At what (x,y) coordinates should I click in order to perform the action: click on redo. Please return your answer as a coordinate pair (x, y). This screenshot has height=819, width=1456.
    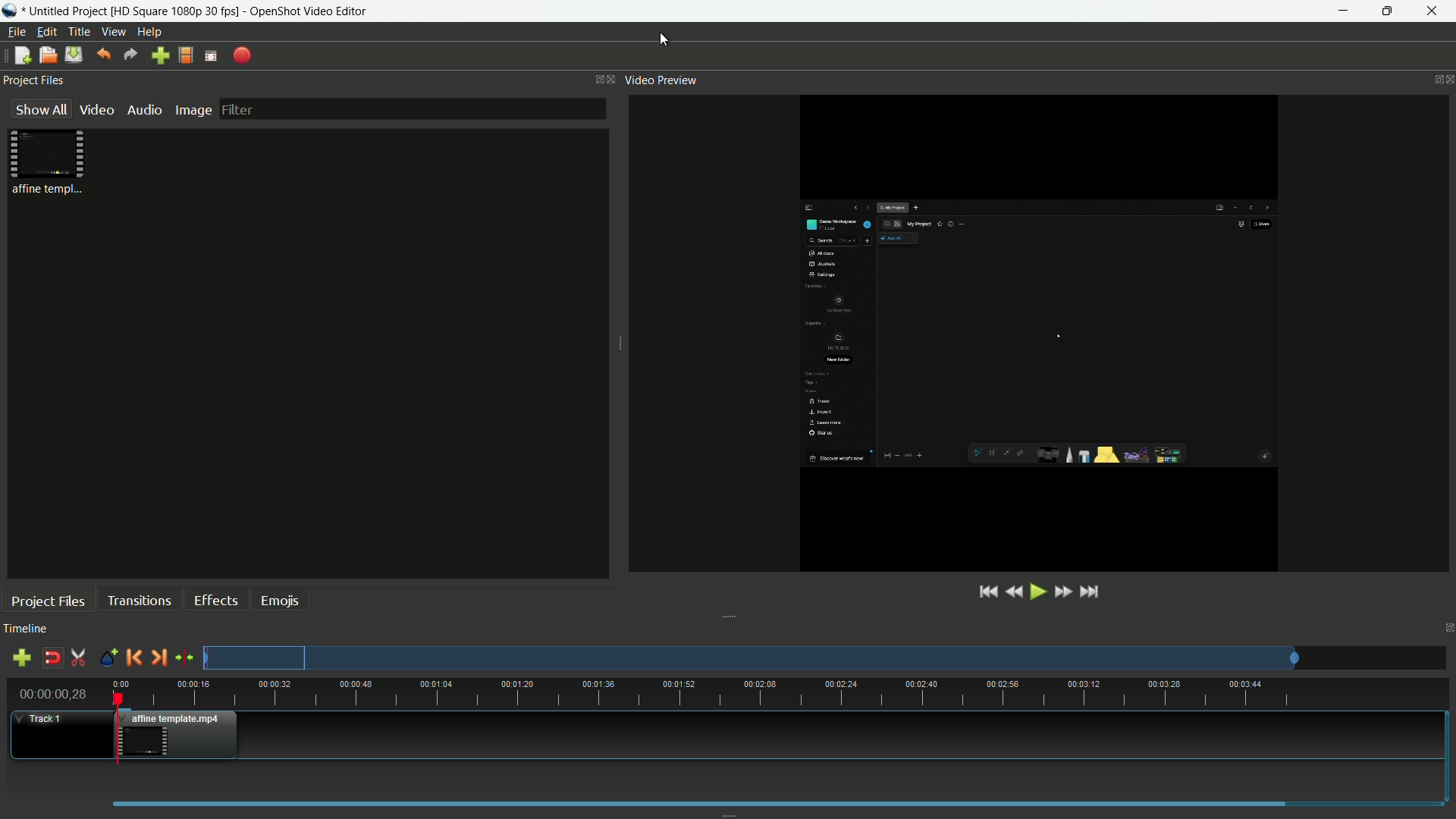
    Looking at the image, I should click on (130, 55).